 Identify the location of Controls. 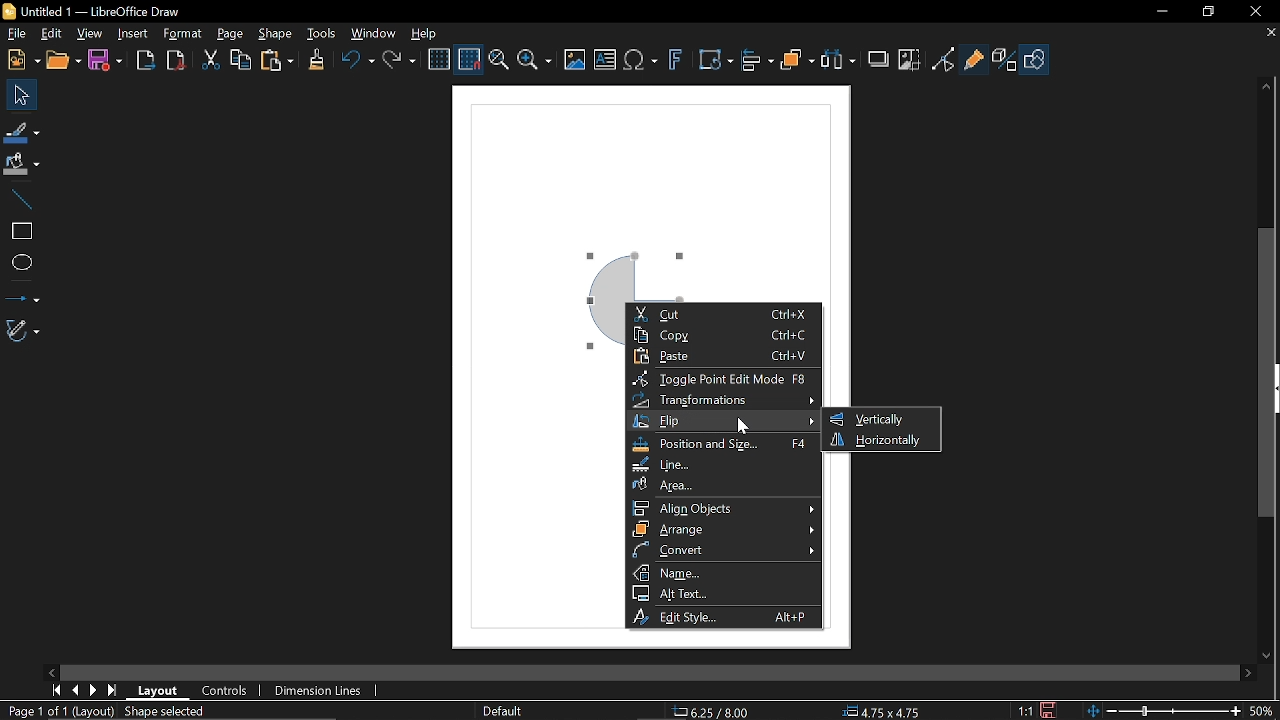
(223, 690).